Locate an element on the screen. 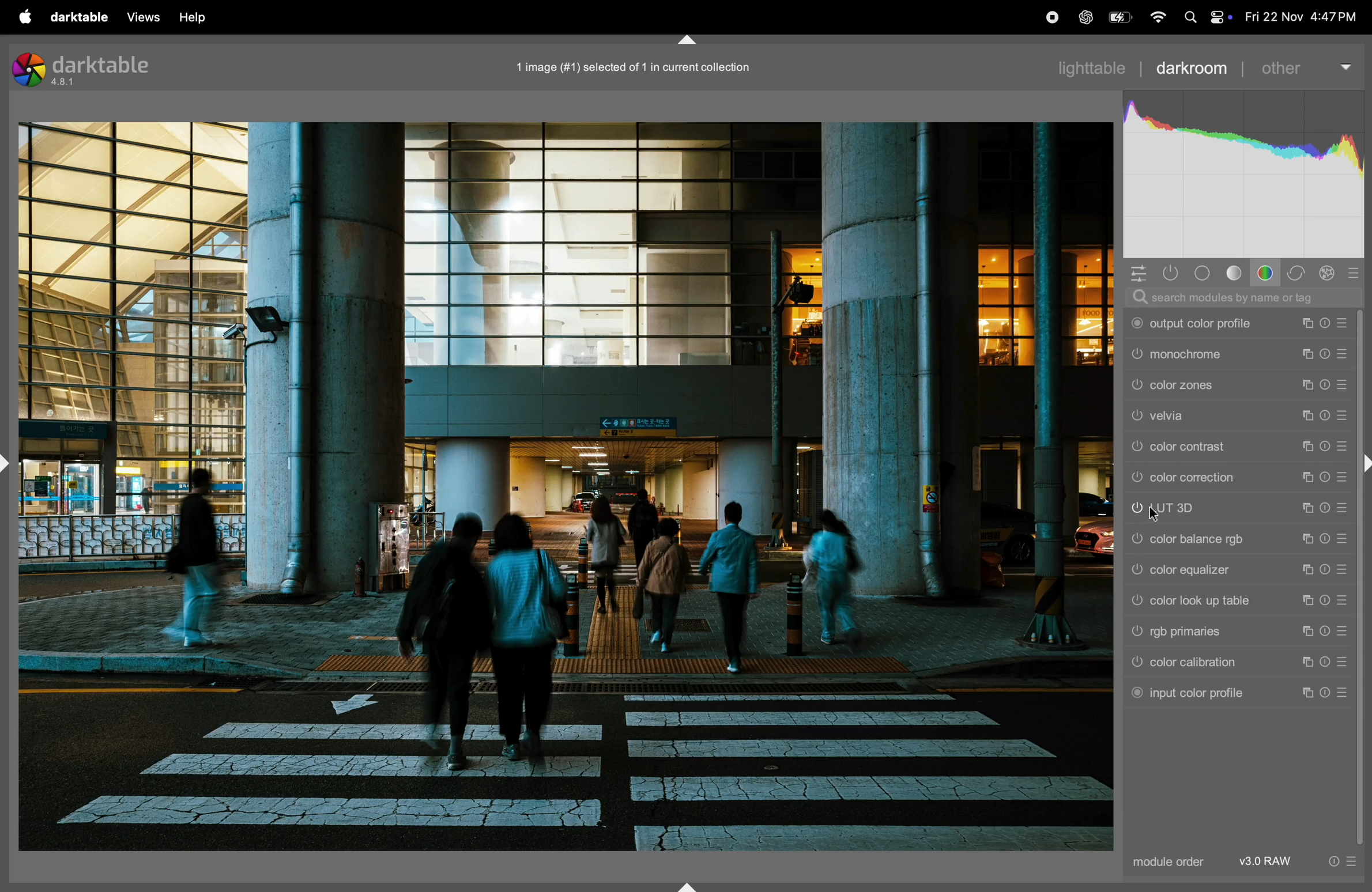  reset is located at coordinates (1325, 691).